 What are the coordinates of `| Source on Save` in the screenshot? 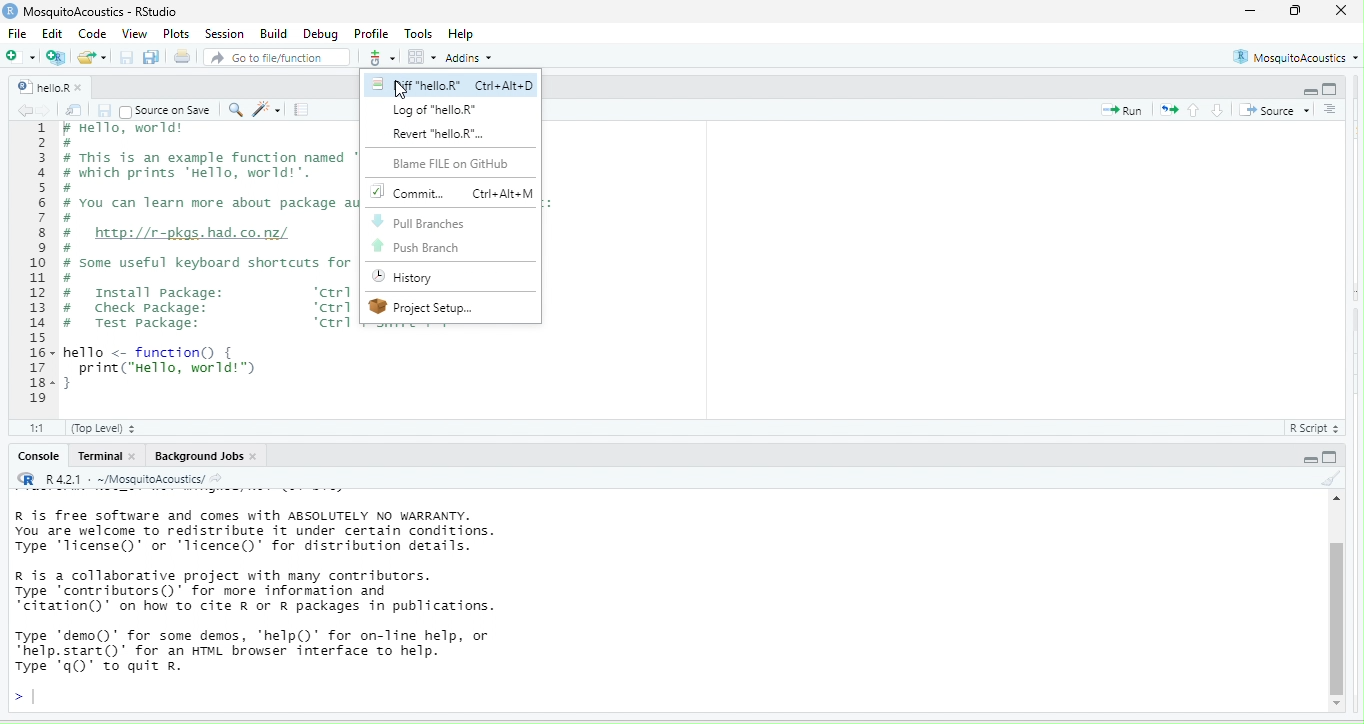 It's located at (169, 112).